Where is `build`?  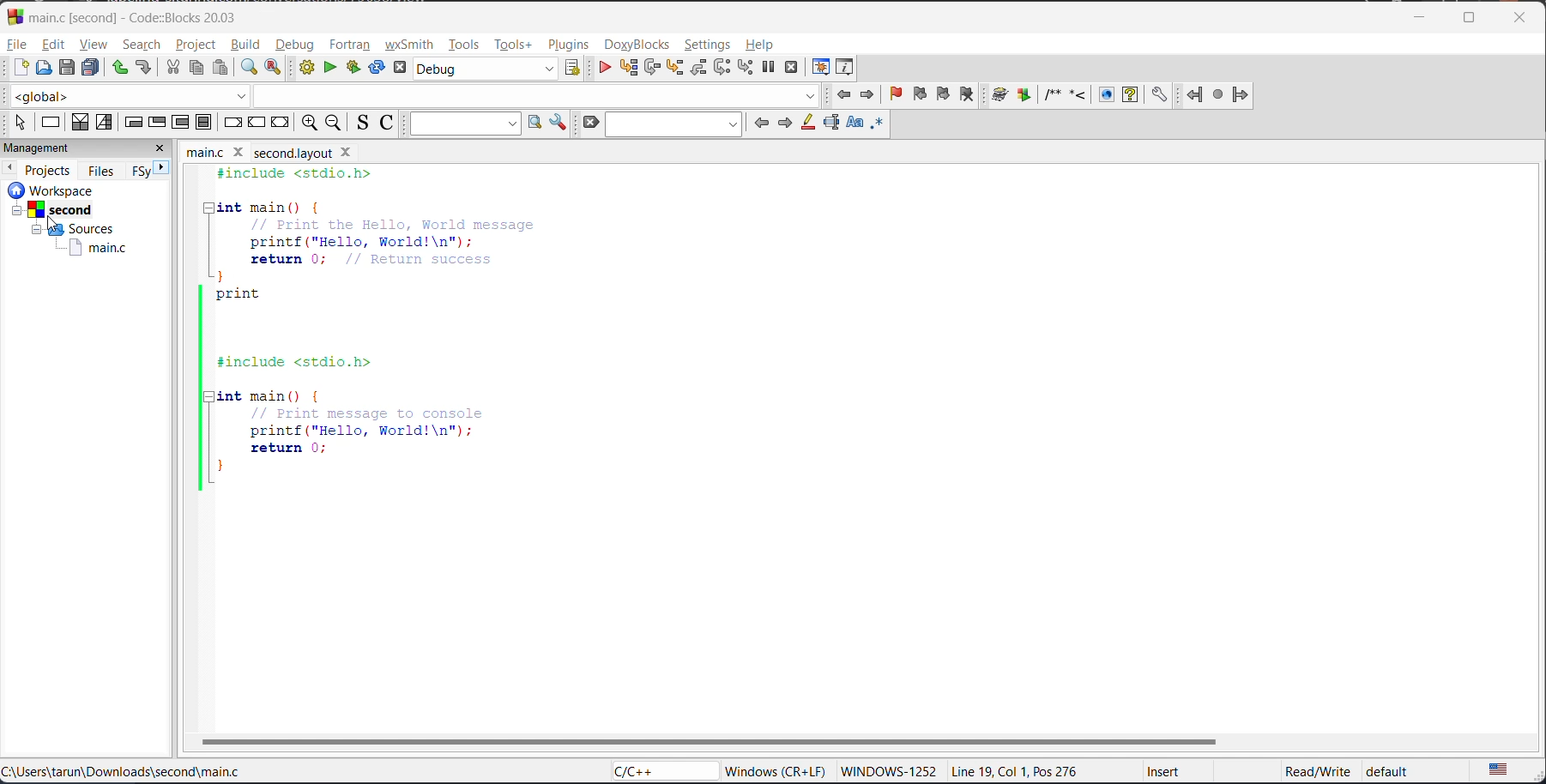 build is located at coordinates (244, 43).